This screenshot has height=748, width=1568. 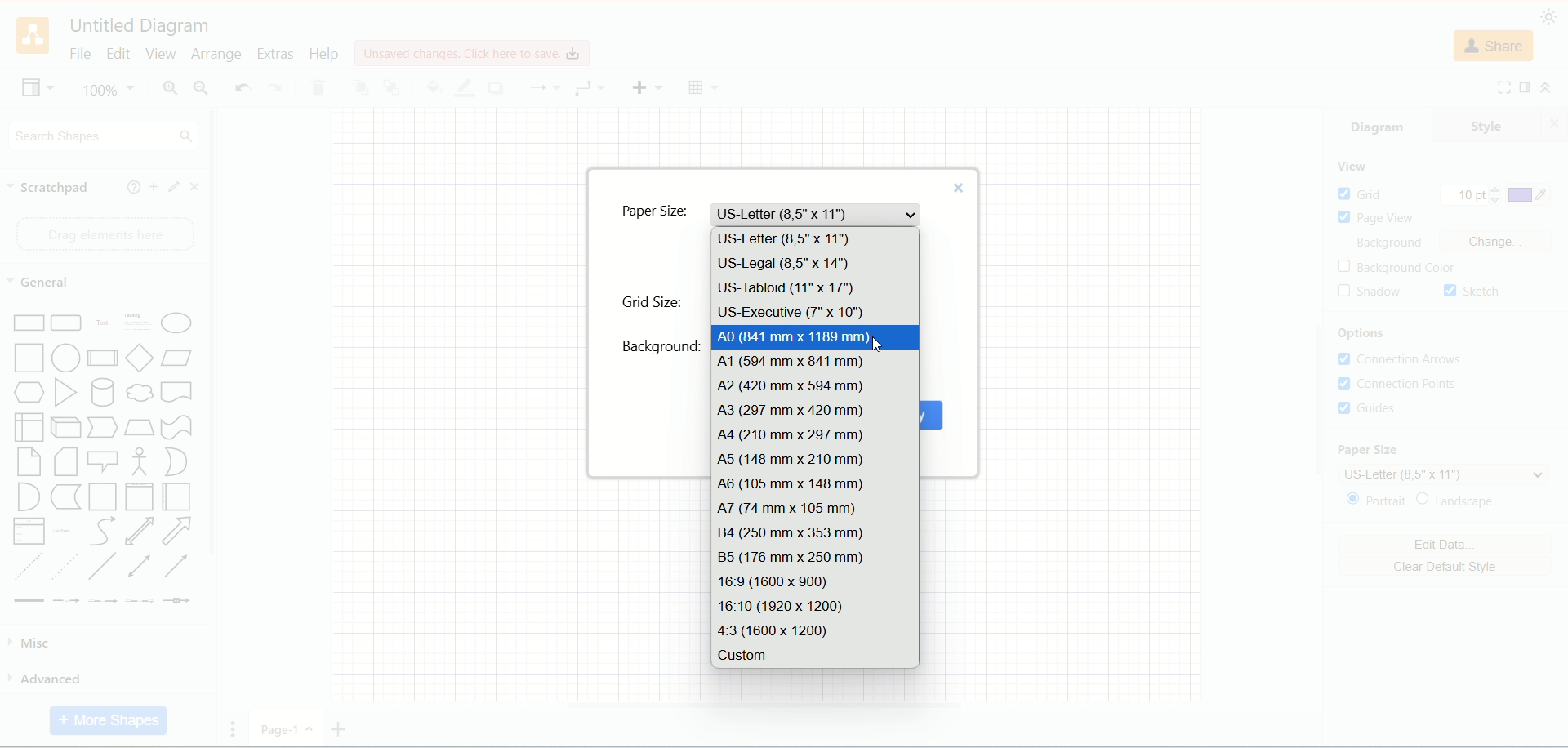 I want to click on Stick Figure, so click(x=139, y=462).